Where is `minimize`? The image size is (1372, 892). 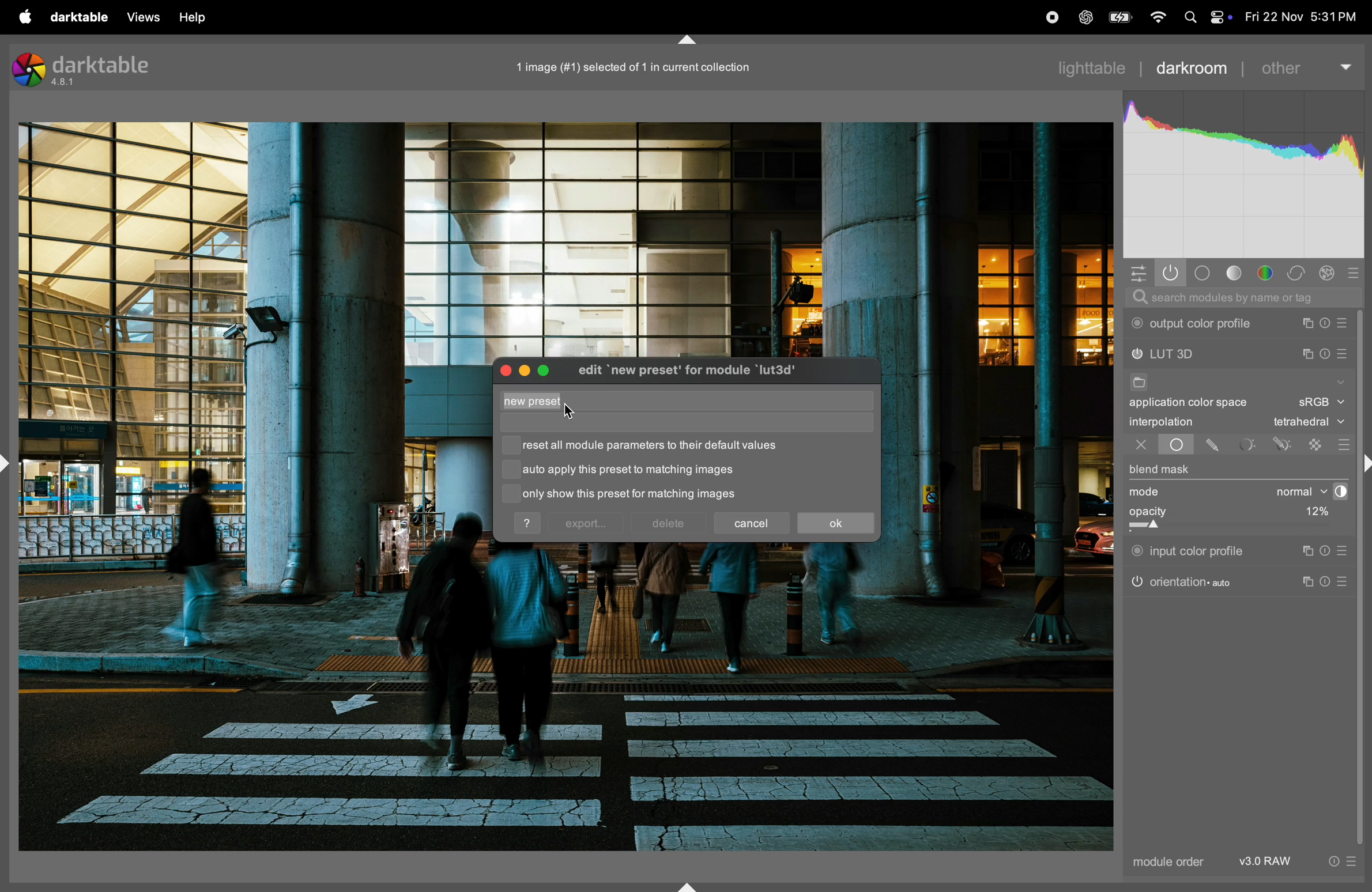 minimize is located at coordinates (522, 370).